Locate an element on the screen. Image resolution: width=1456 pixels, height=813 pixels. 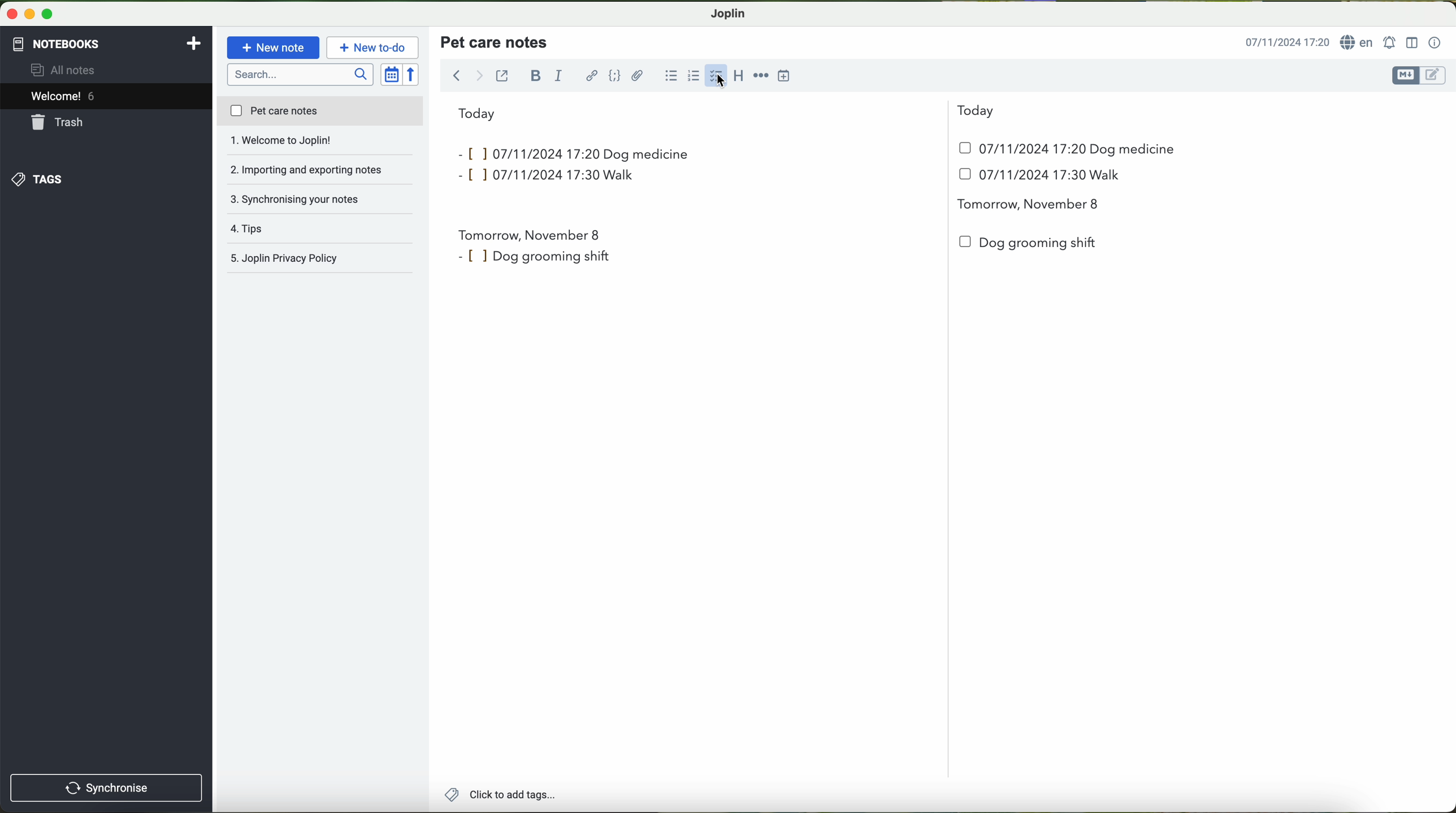
dog medicine is located at coordinates (1133, 150).